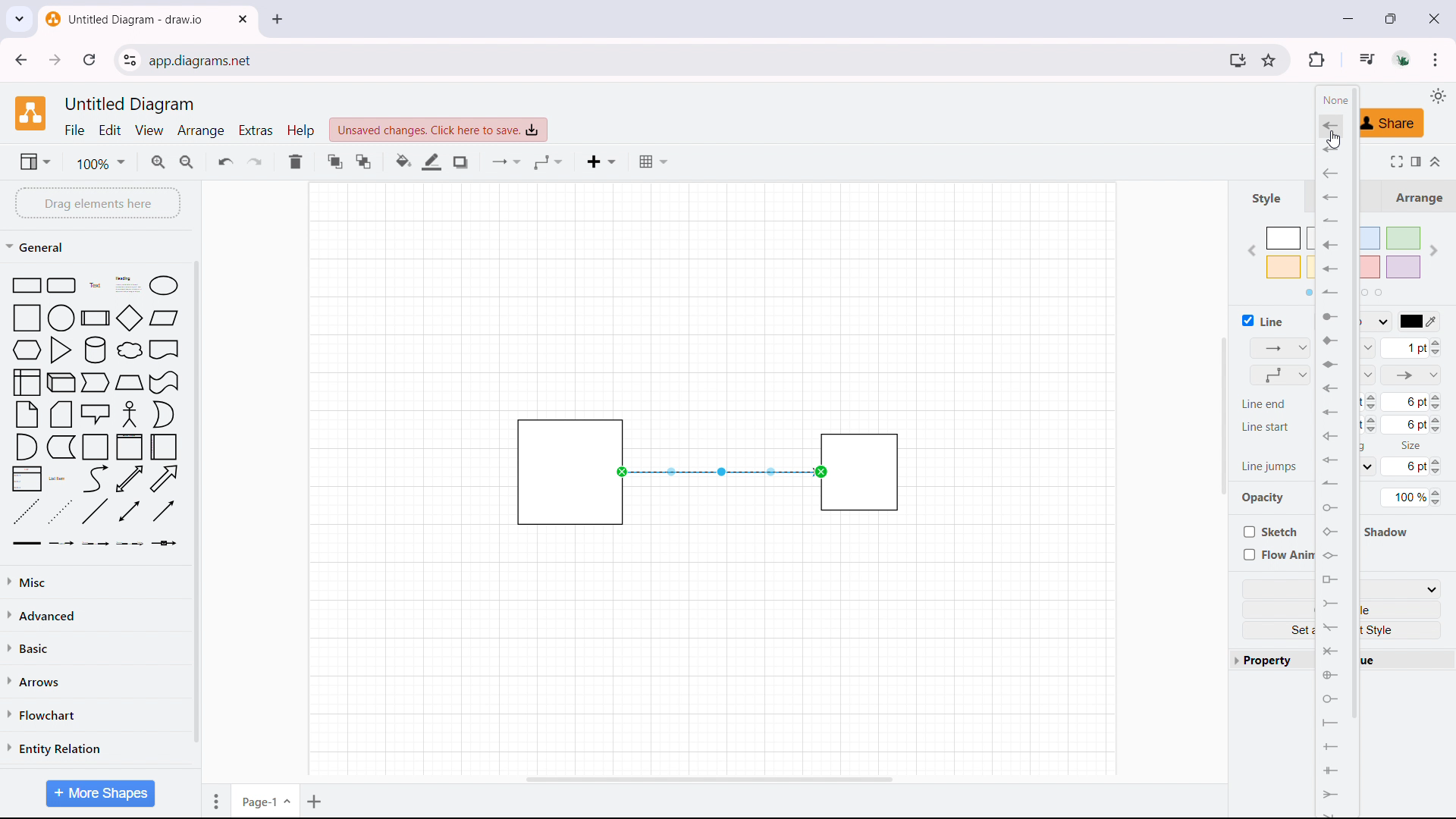  Describe the element at coordinates (95, 714) in the screenshot. I see `flowchart` at that location.